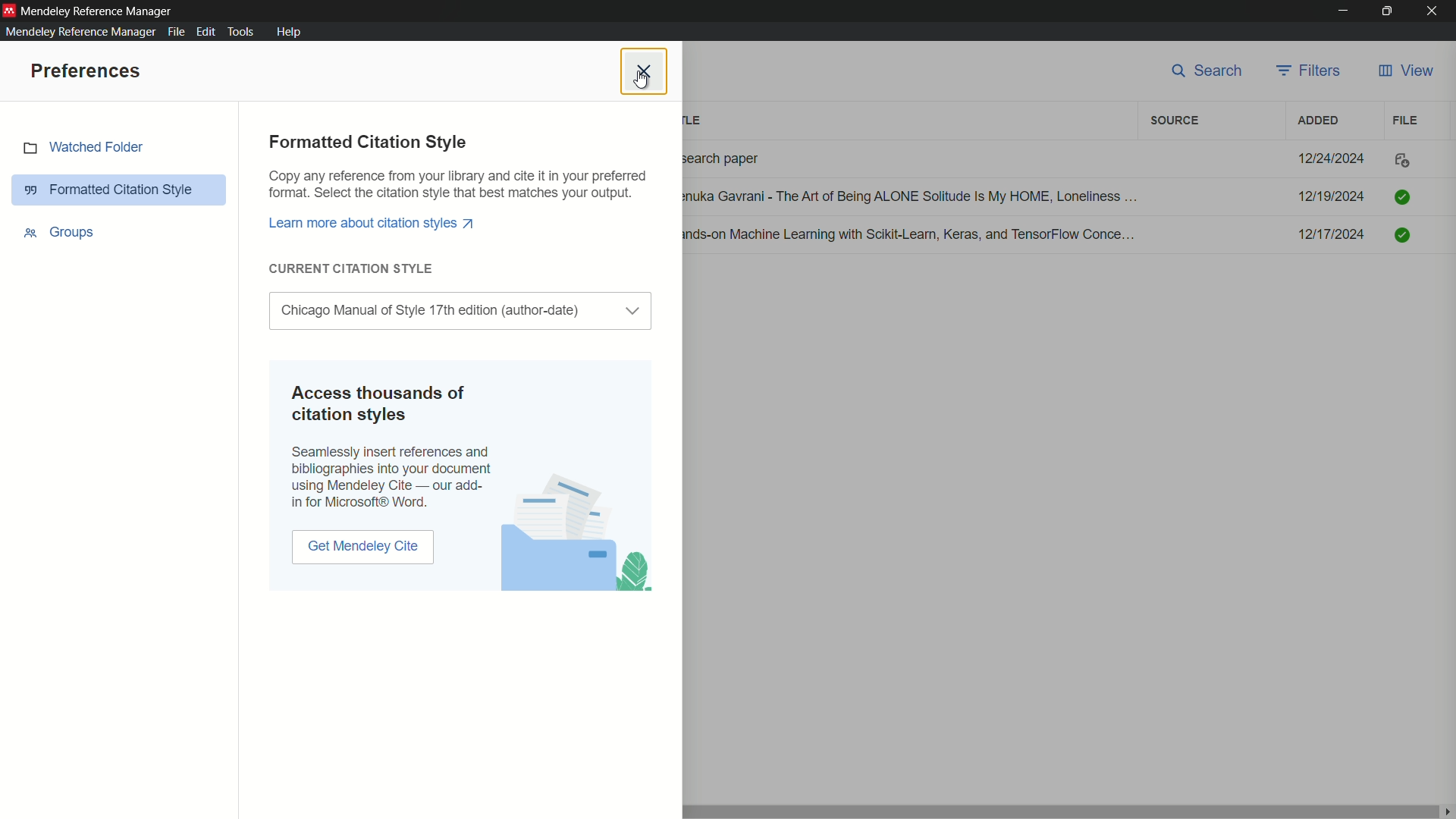  Describe the element at coordinates (206, 32) in the screenshot. I see `edit menu` at that location.